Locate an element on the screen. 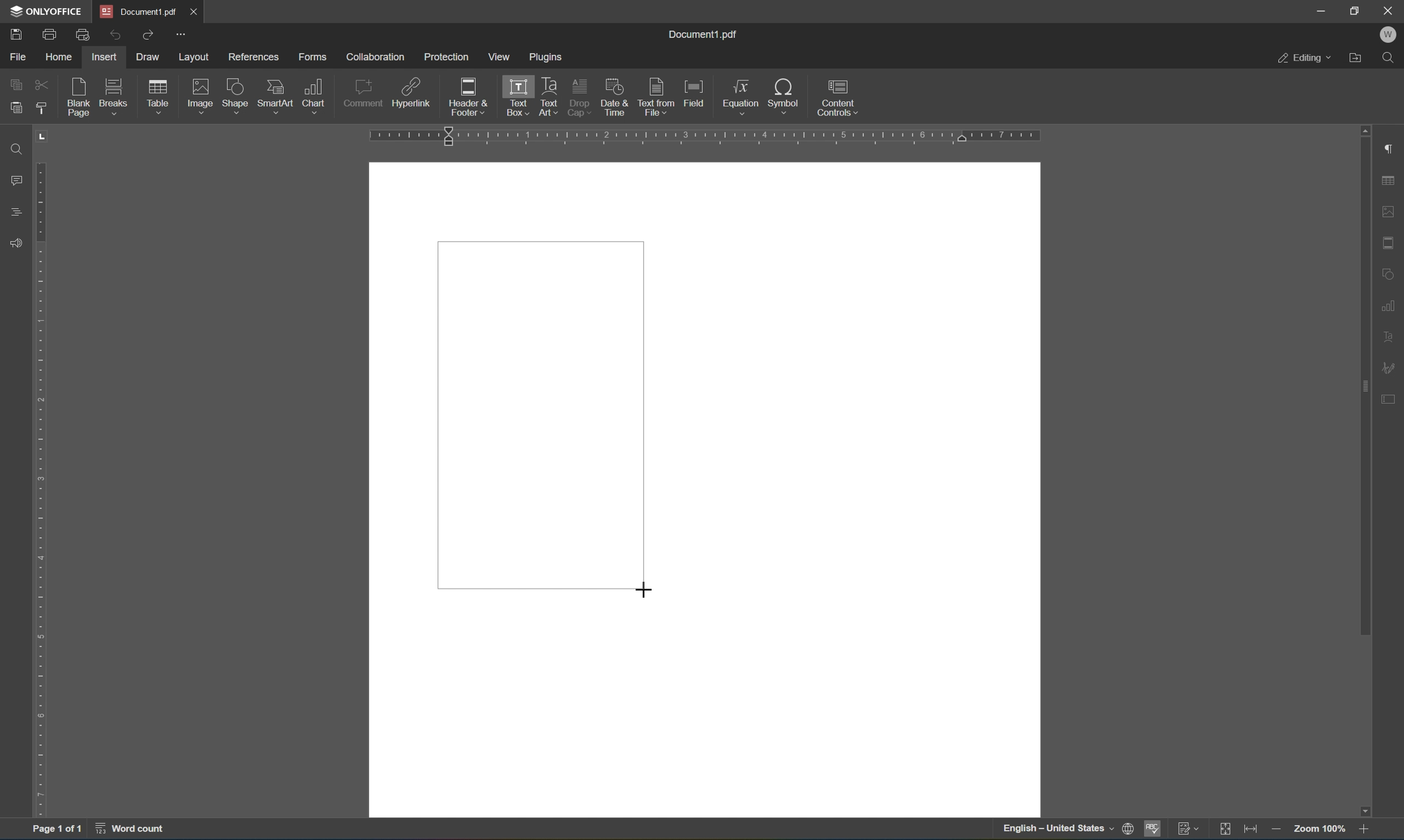  chart is located at coordinates (314, 96).